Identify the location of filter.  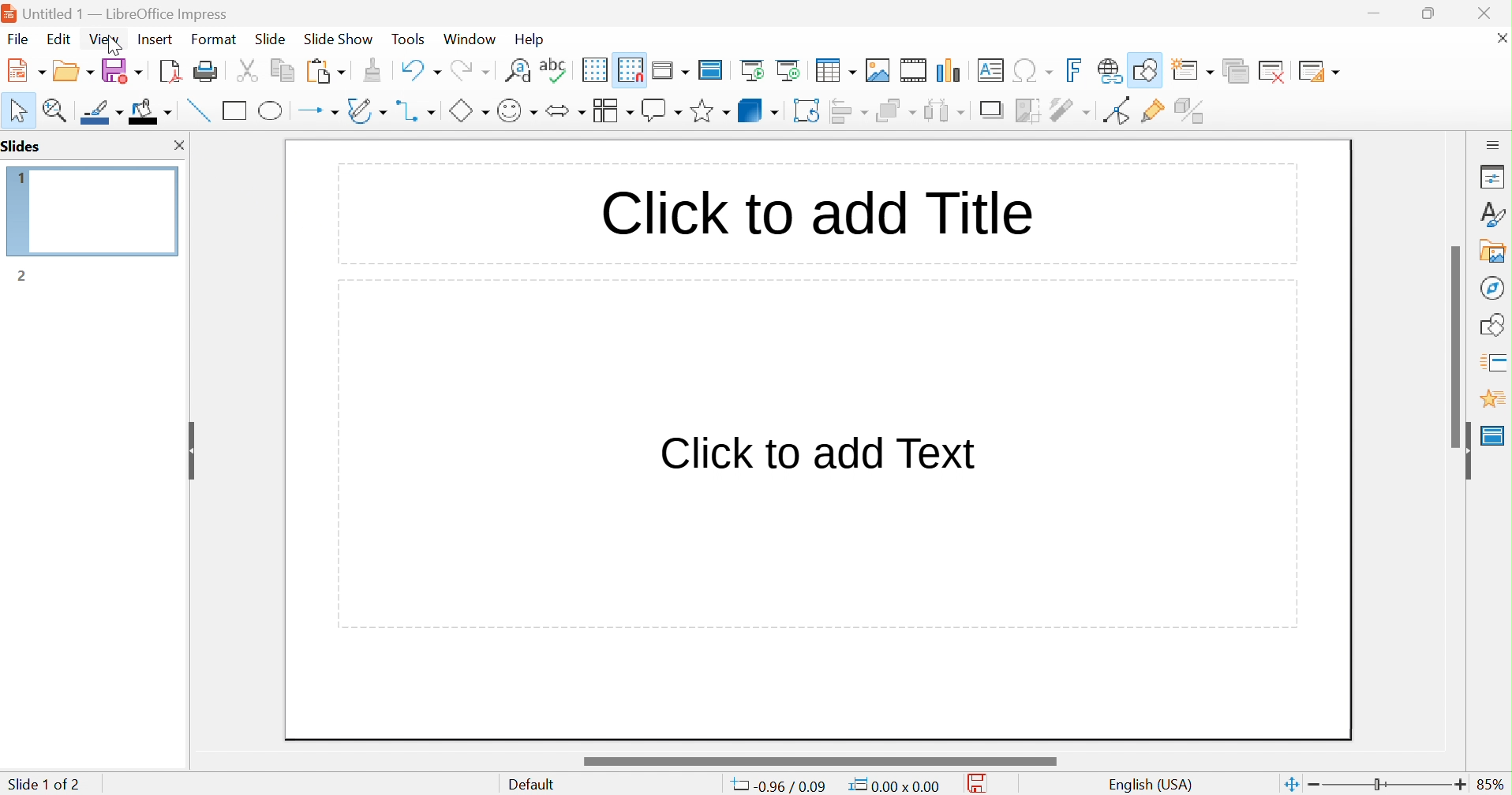
(1072, 110).